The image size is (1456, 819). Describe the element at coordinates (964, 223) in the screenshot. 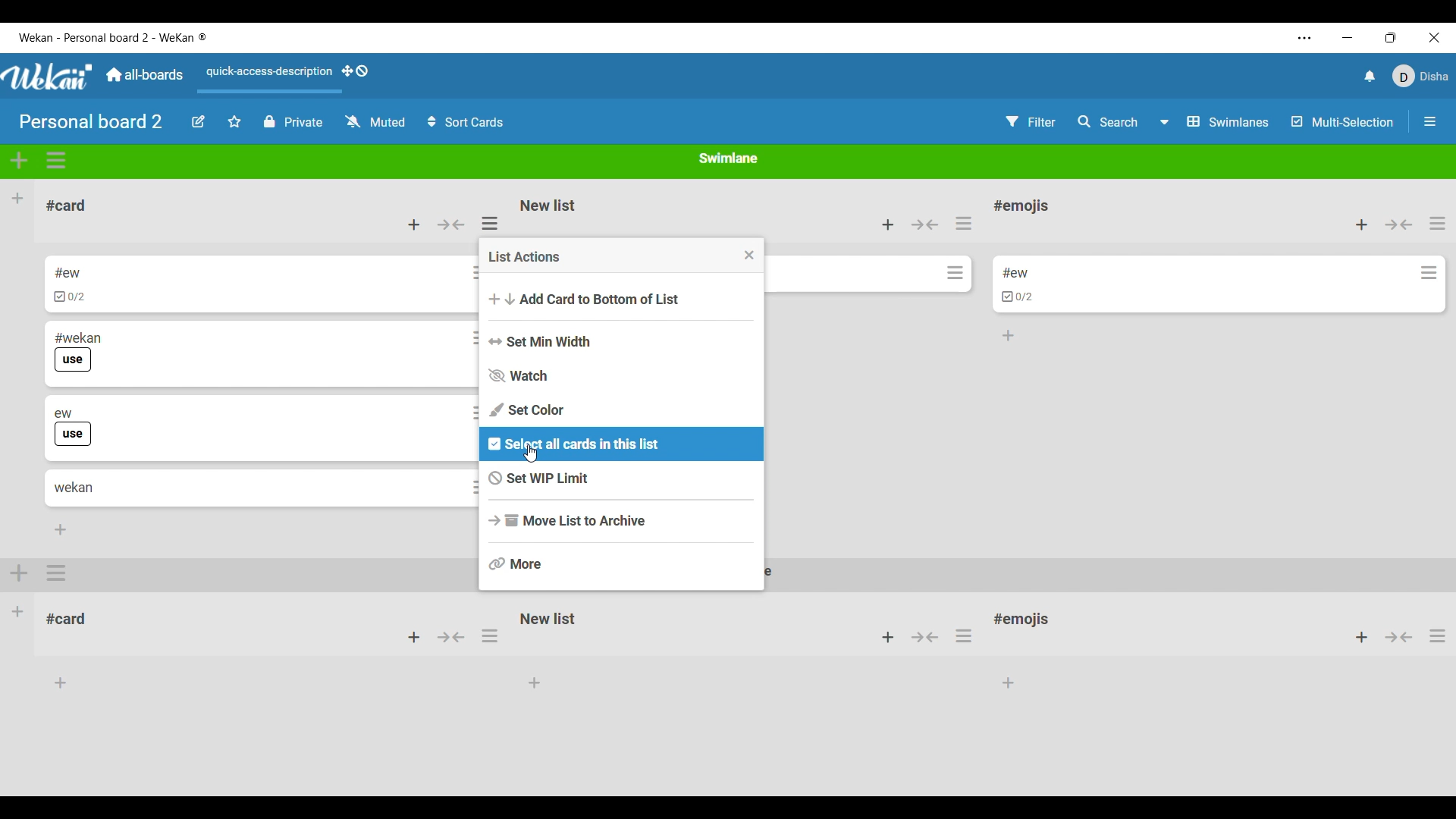

I see `List actions` at that location.